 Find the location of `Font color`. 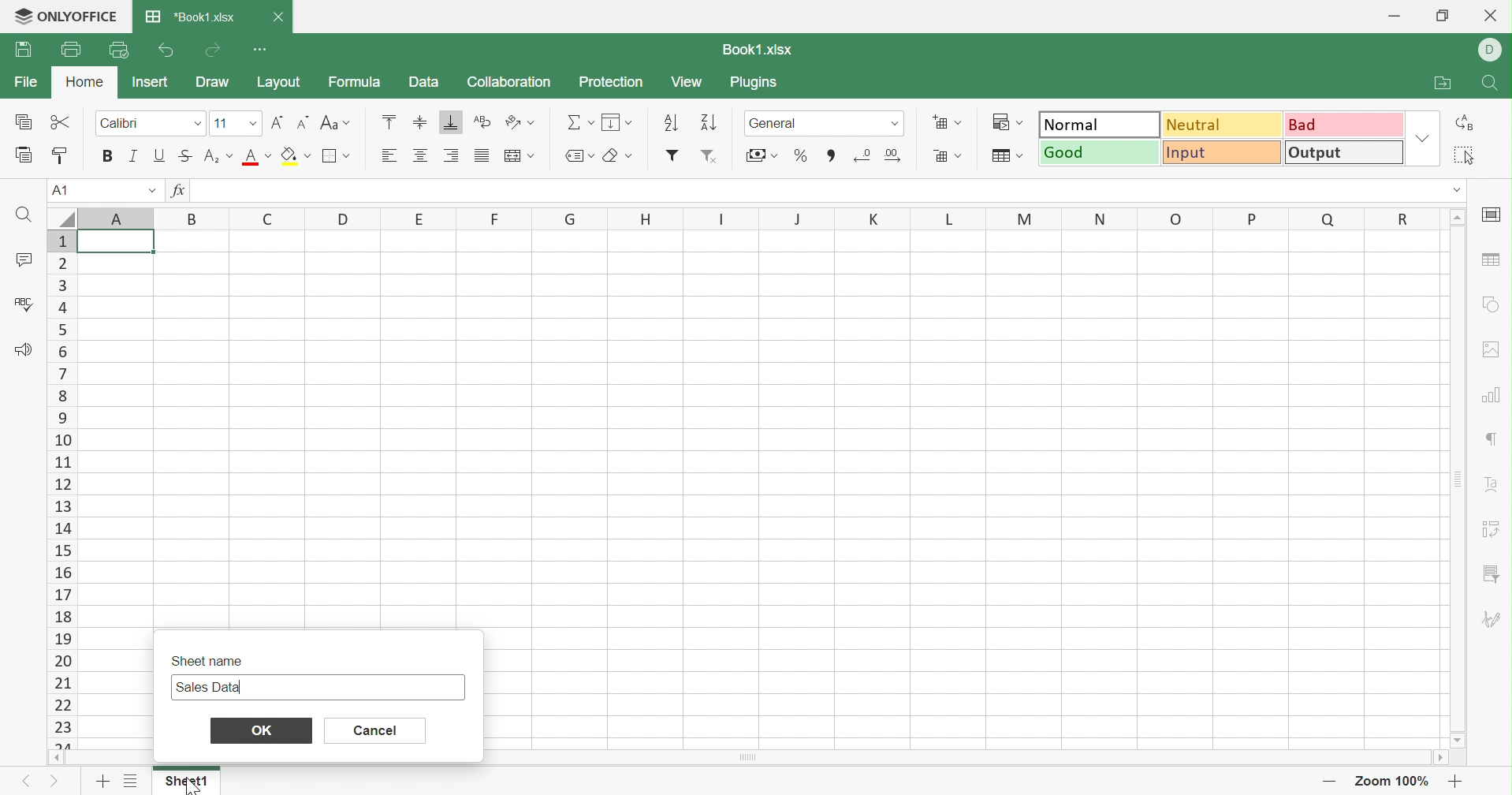

Font color is located at coordinates (256, 155).